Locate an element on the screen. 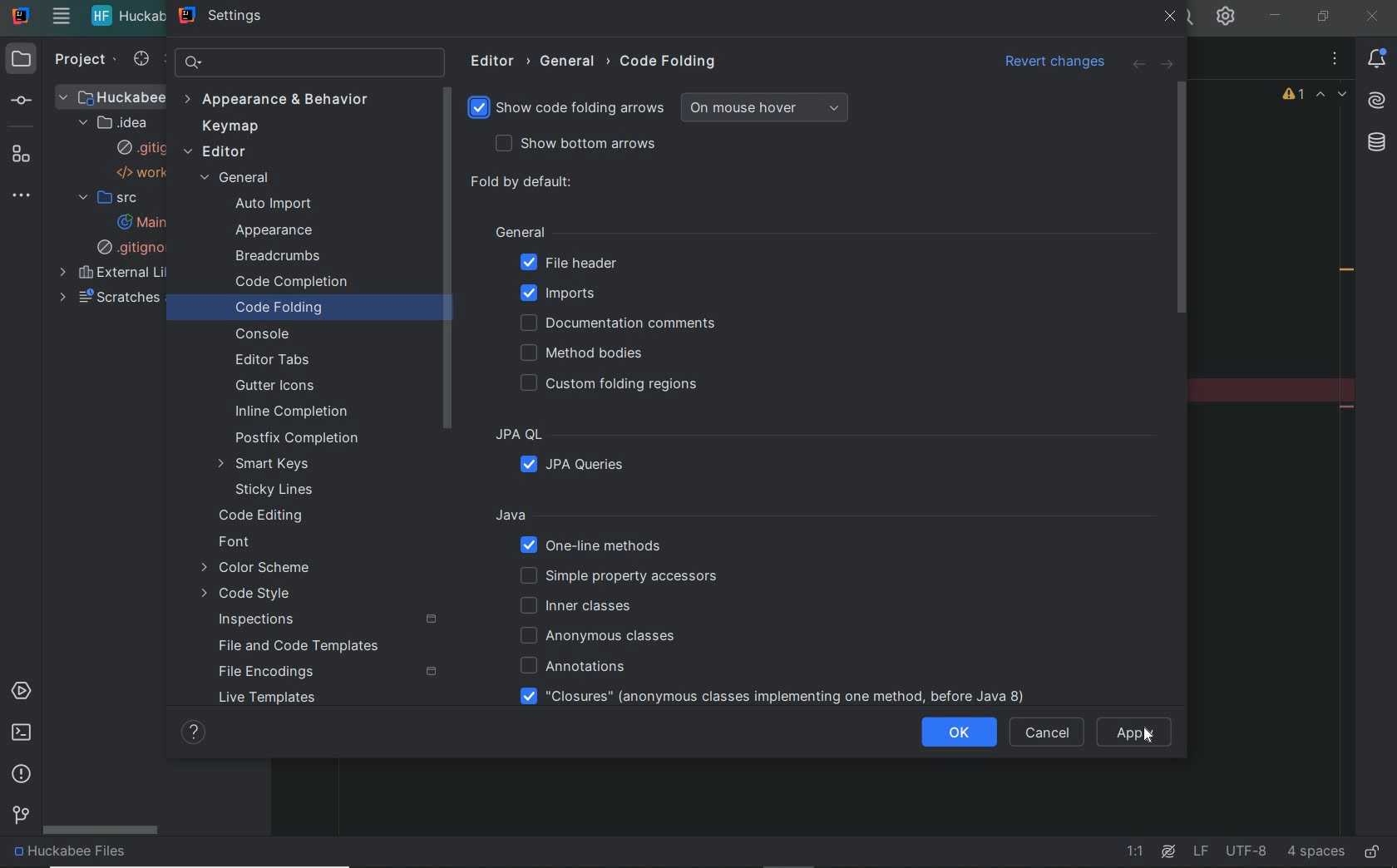  keymap is located at coordinates (230, 128).